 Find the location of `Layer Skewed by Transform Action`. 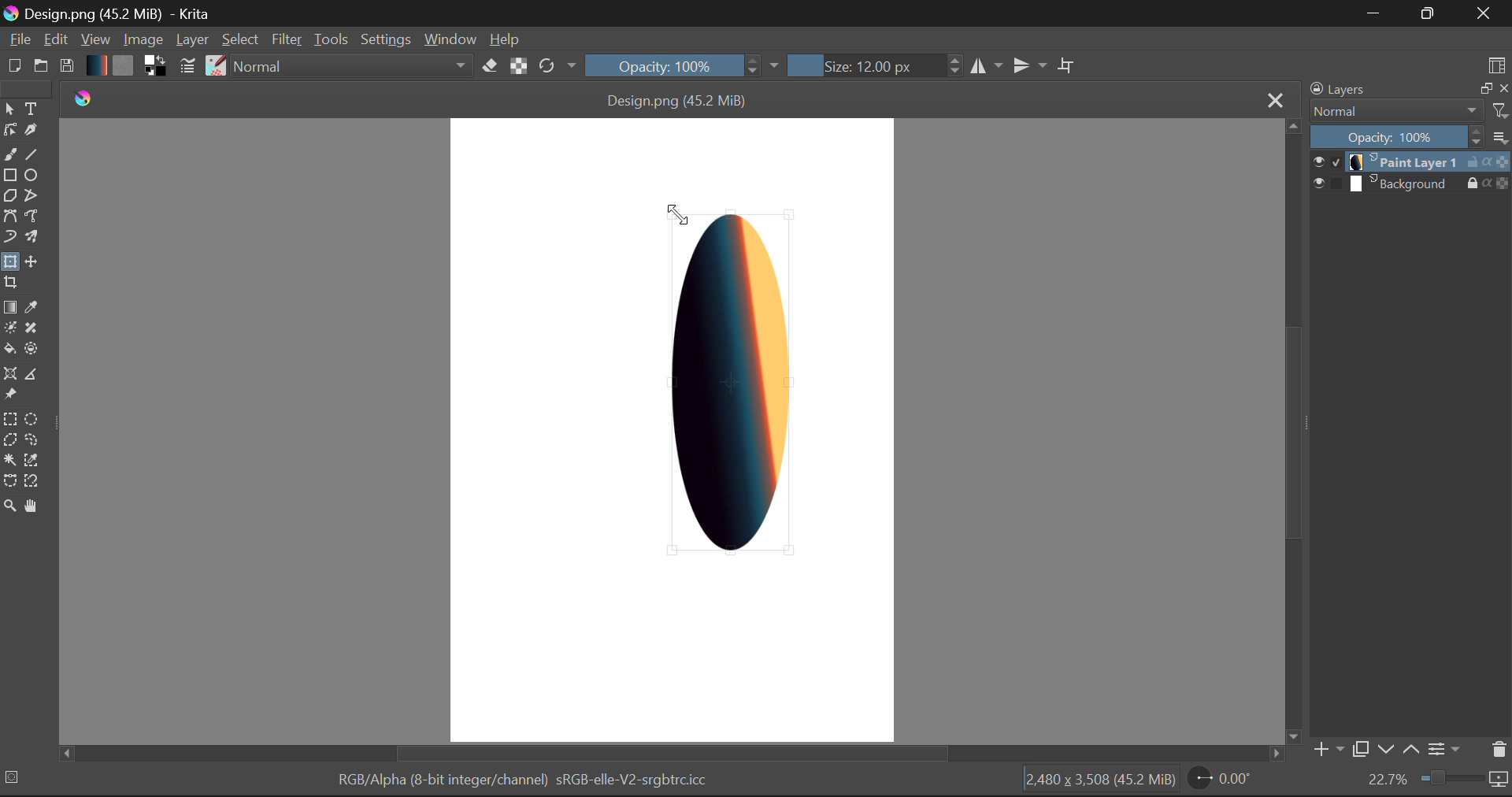

Layer Skewed by Transform Action is located at coordinates (734, 383).